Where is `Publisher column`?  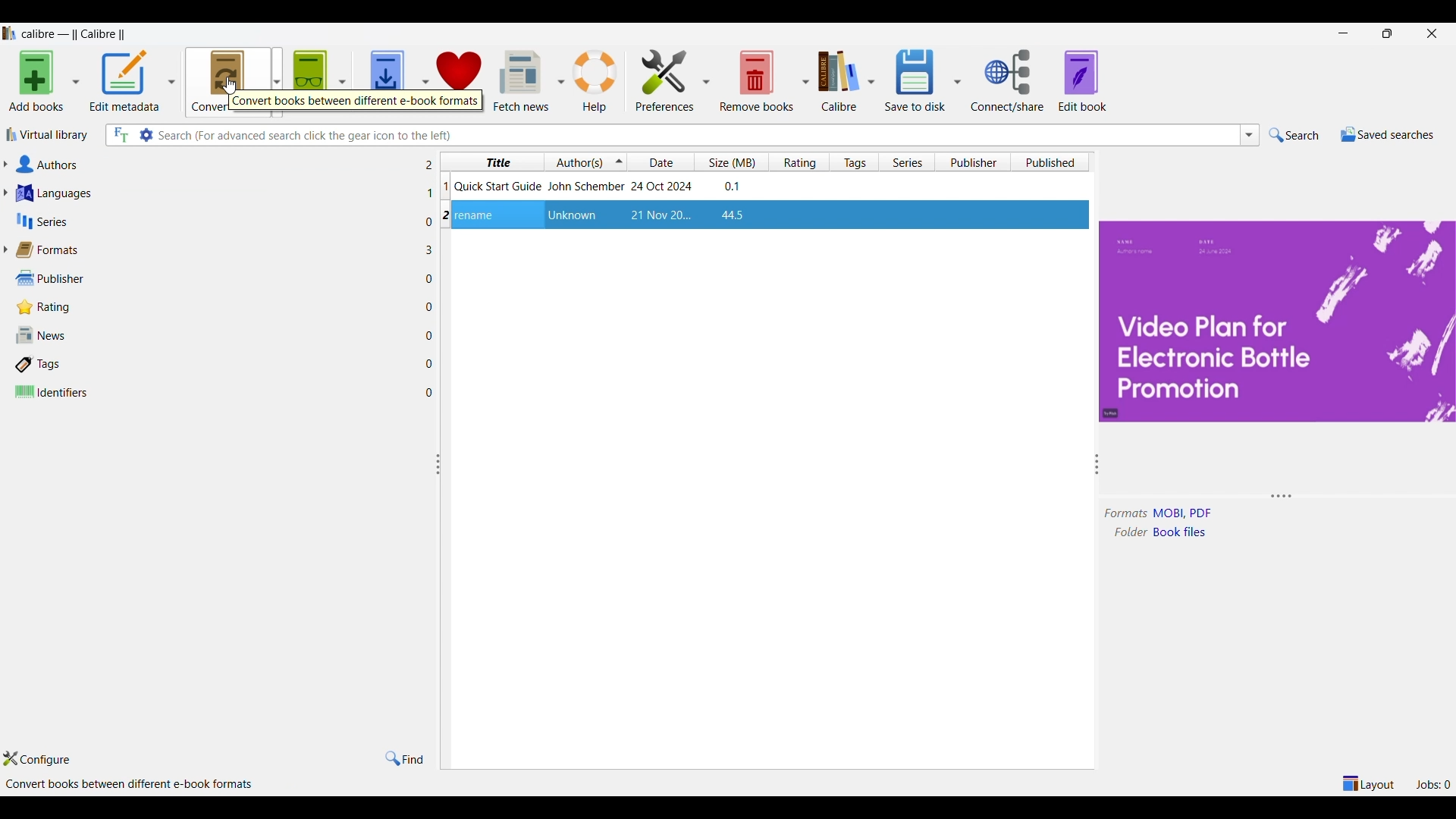 Publisher column is located at coordinates (972, 162).